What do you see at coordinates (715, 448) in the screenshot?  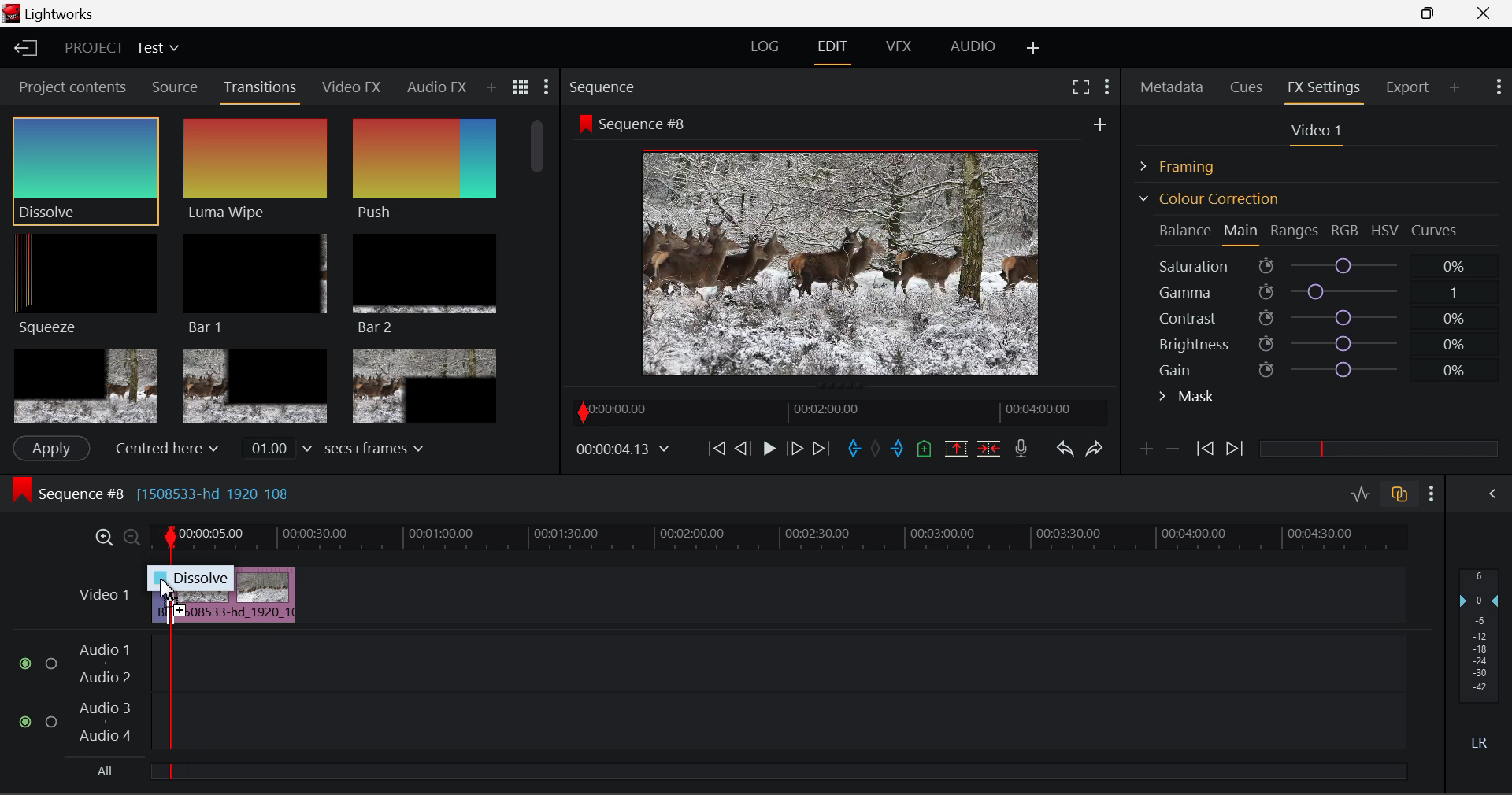 I see `To Start` at bounding box center [715, 448].